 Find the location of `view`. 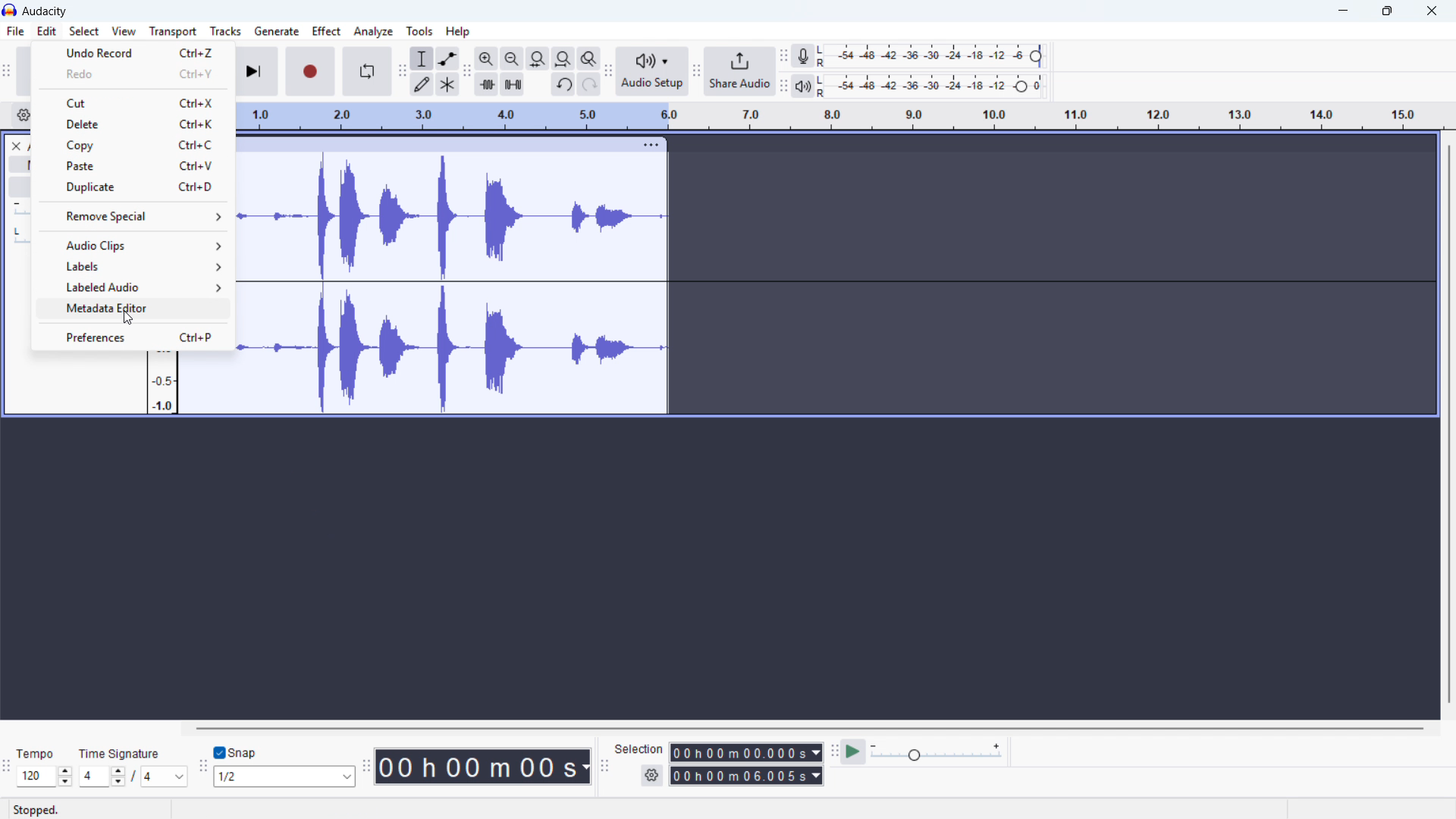

view is located at coordinates (124, 31).